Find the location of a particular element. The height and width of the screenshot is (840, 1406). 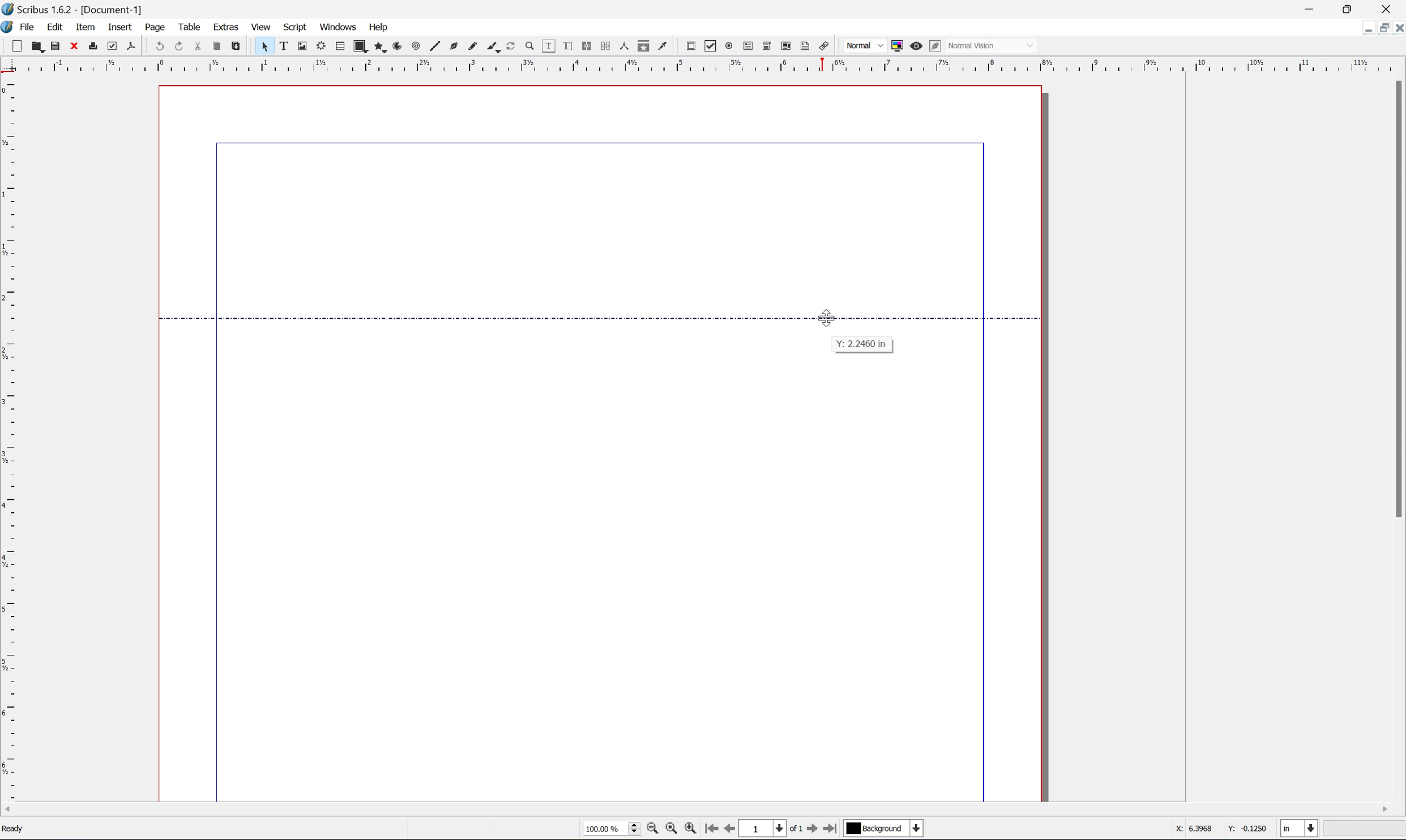

copy item annotation is located at coordinates (645, 48).